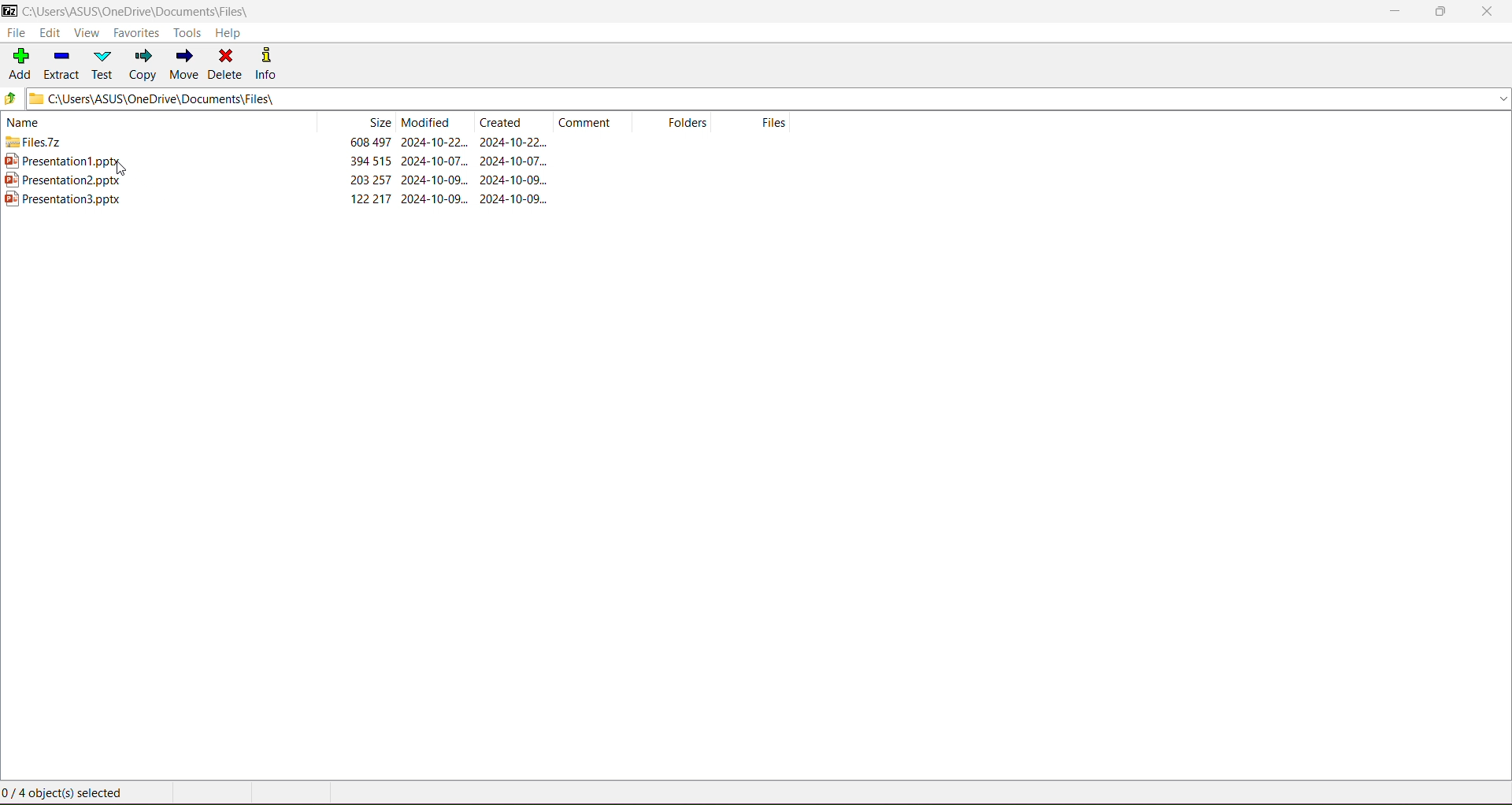 The width and height of the screenshot is (1512, 805). What do you see at coordinates (25, 122) in the screenshot?
I see `name` at bounding box center [25, 122].